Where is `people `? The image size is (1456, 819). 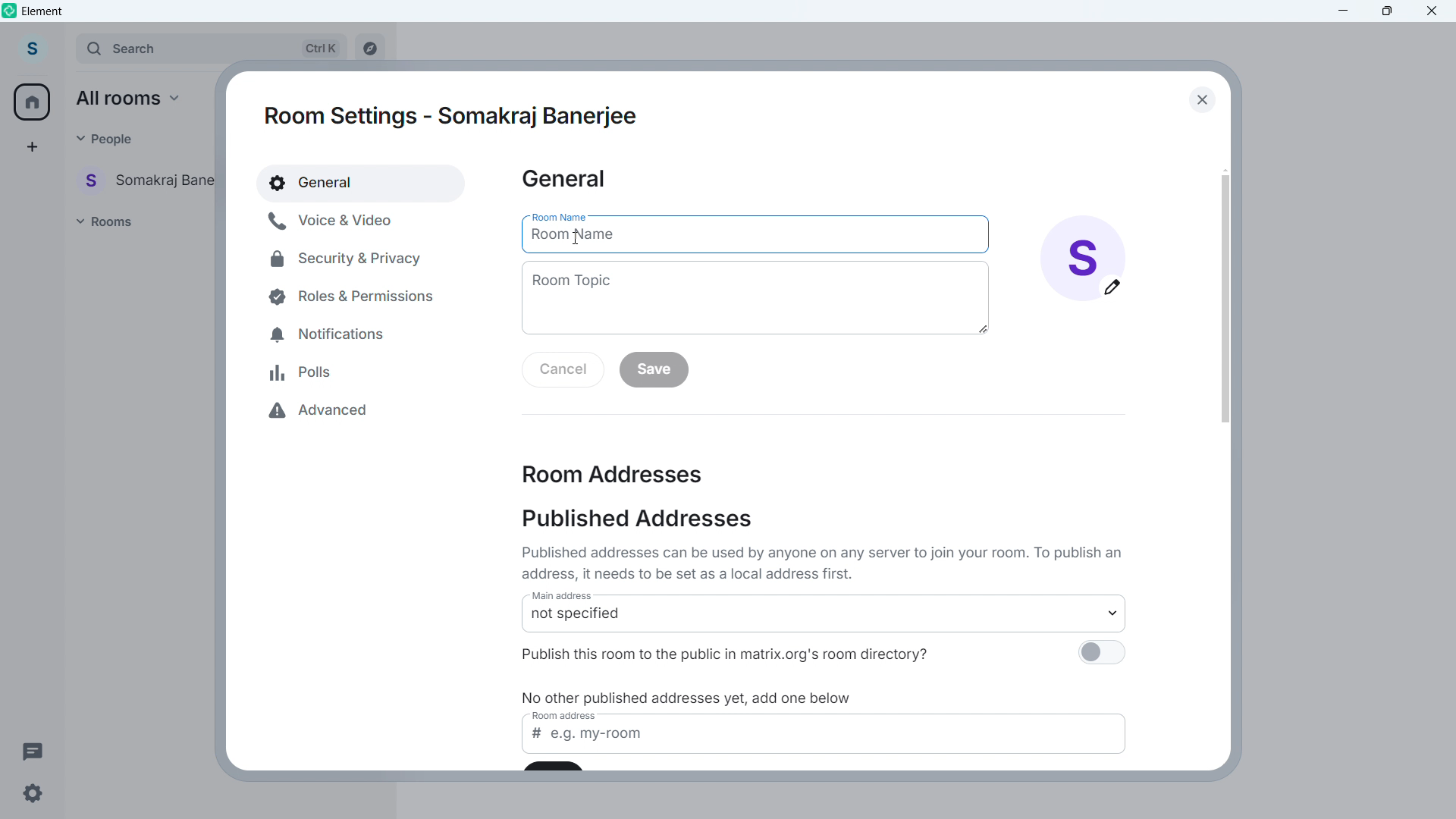
people  is located at coordinates (105, 138).